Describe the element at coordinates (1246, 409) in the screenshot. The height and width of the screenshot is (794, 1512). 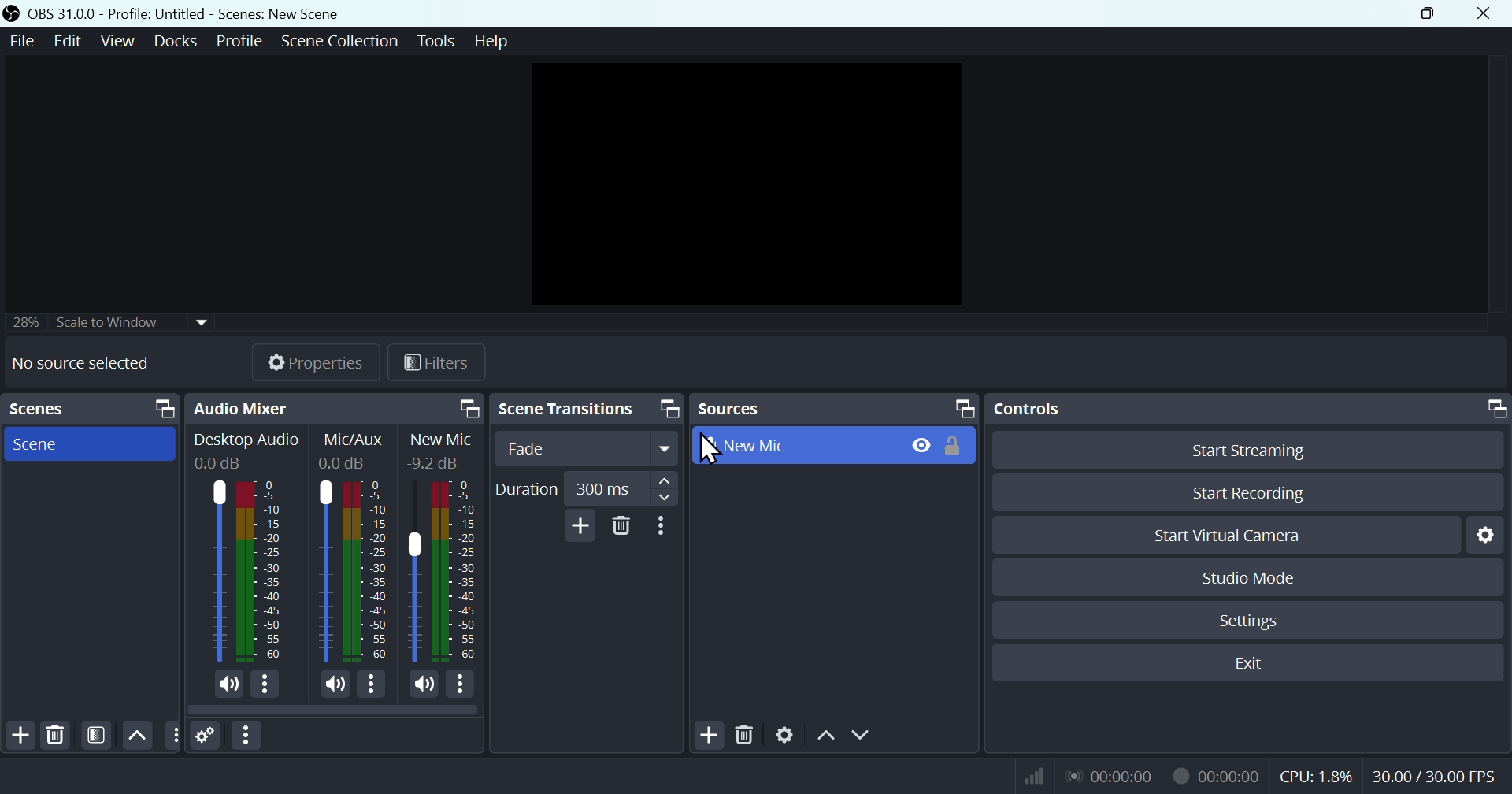
I see `Controls` at that location.